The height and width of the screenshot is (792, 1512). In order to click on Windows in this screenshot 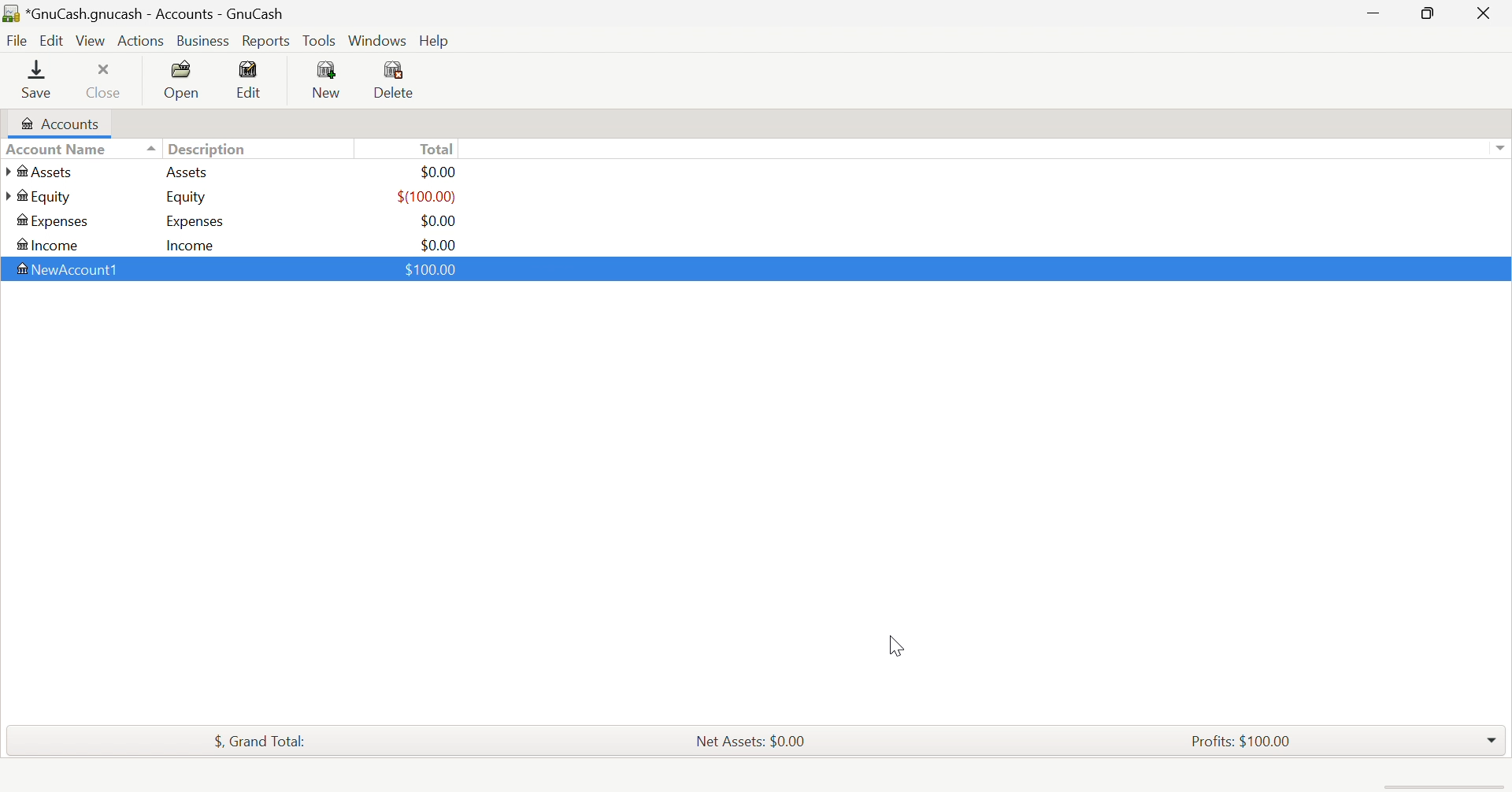, I will do `click(376, 40)`.